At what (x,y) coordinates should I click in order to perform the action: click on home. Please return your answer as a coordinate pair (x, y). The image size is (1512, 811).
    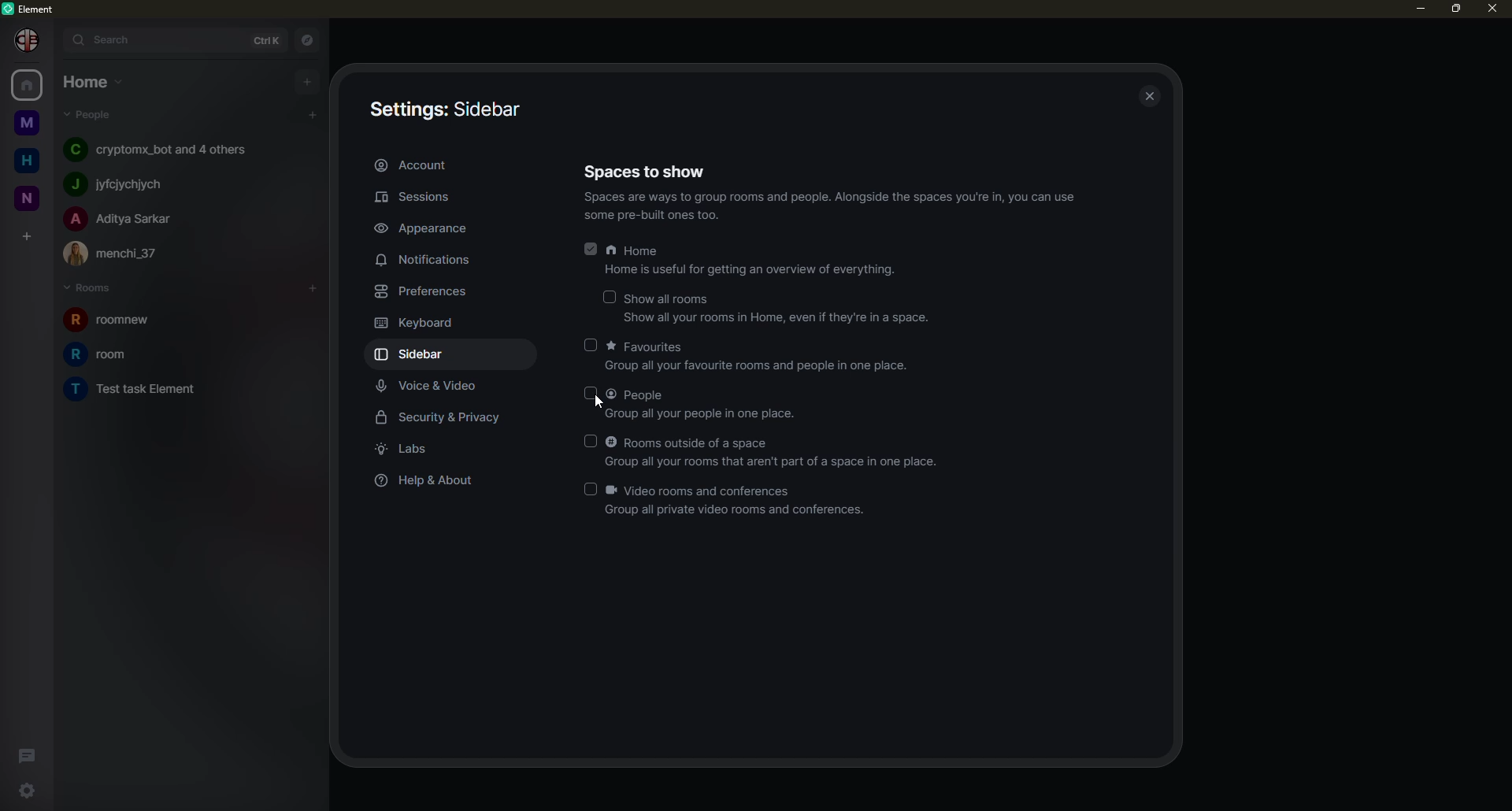
    Looking at the image, I should click on (754, 261).